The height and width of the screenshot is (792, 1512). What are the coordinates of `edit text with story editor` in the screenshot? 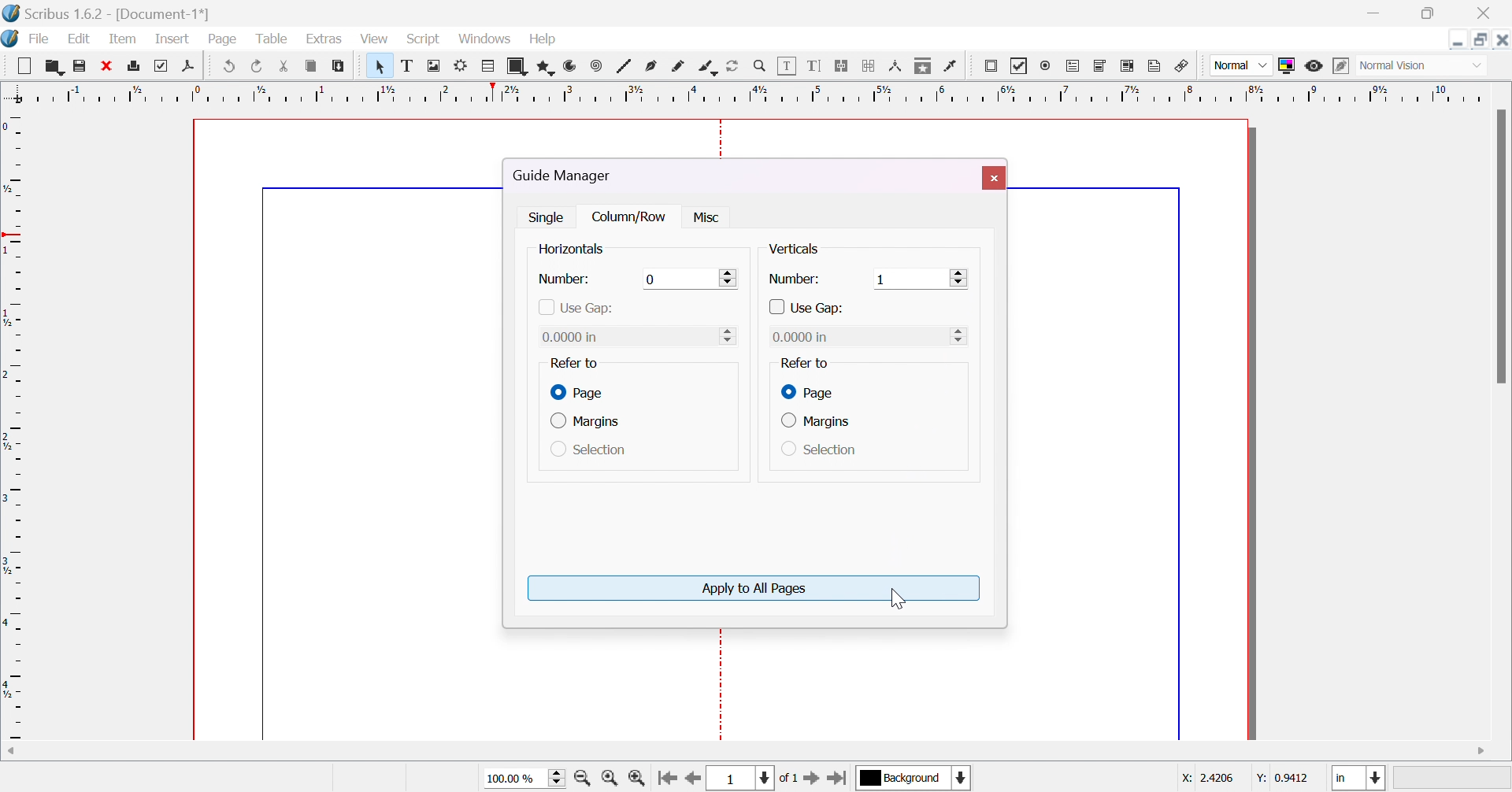 It's located at (817, 65).